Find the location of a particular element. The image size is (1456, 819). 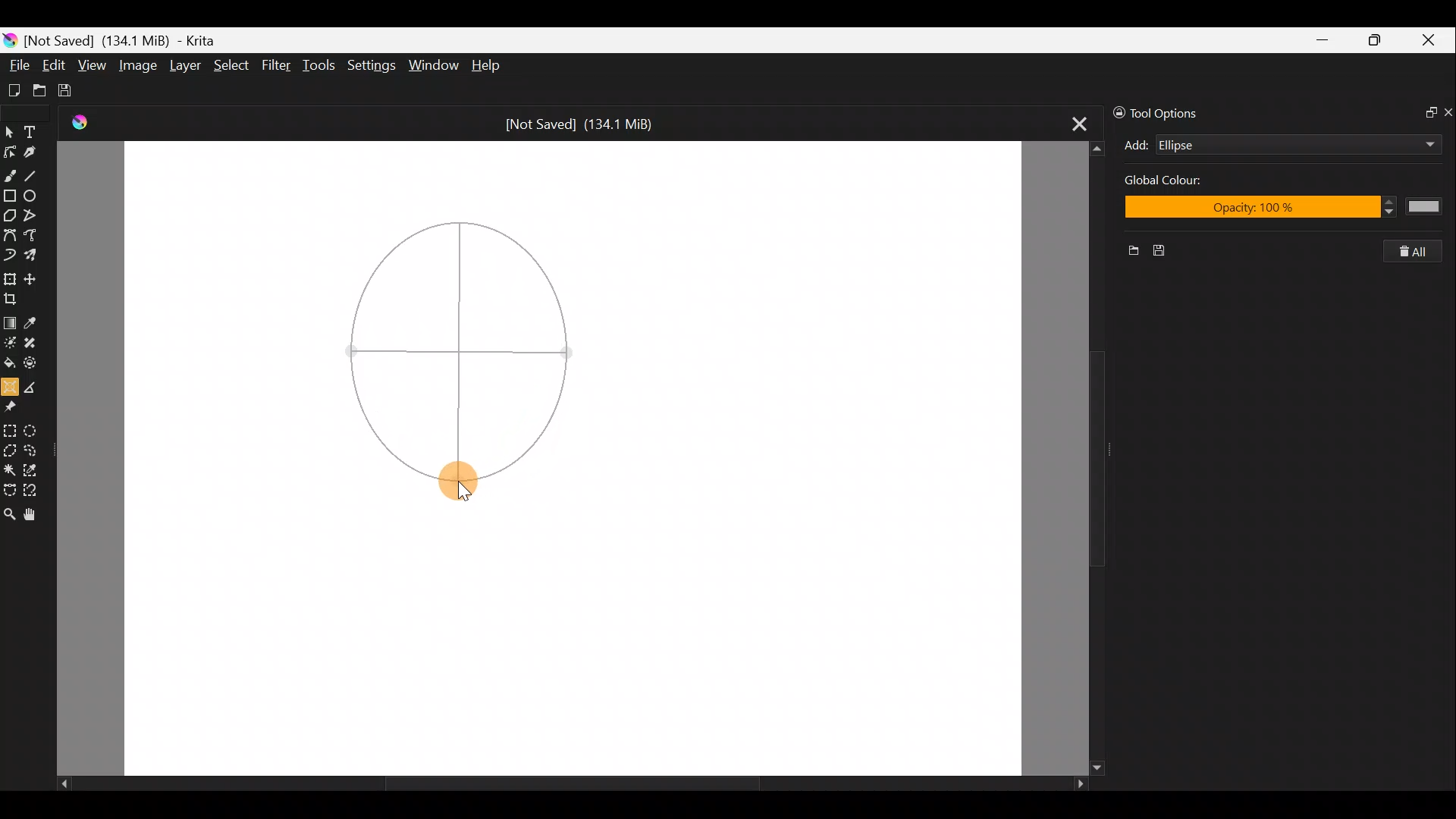

Freehand path tool is located at coordinates (31, 236).